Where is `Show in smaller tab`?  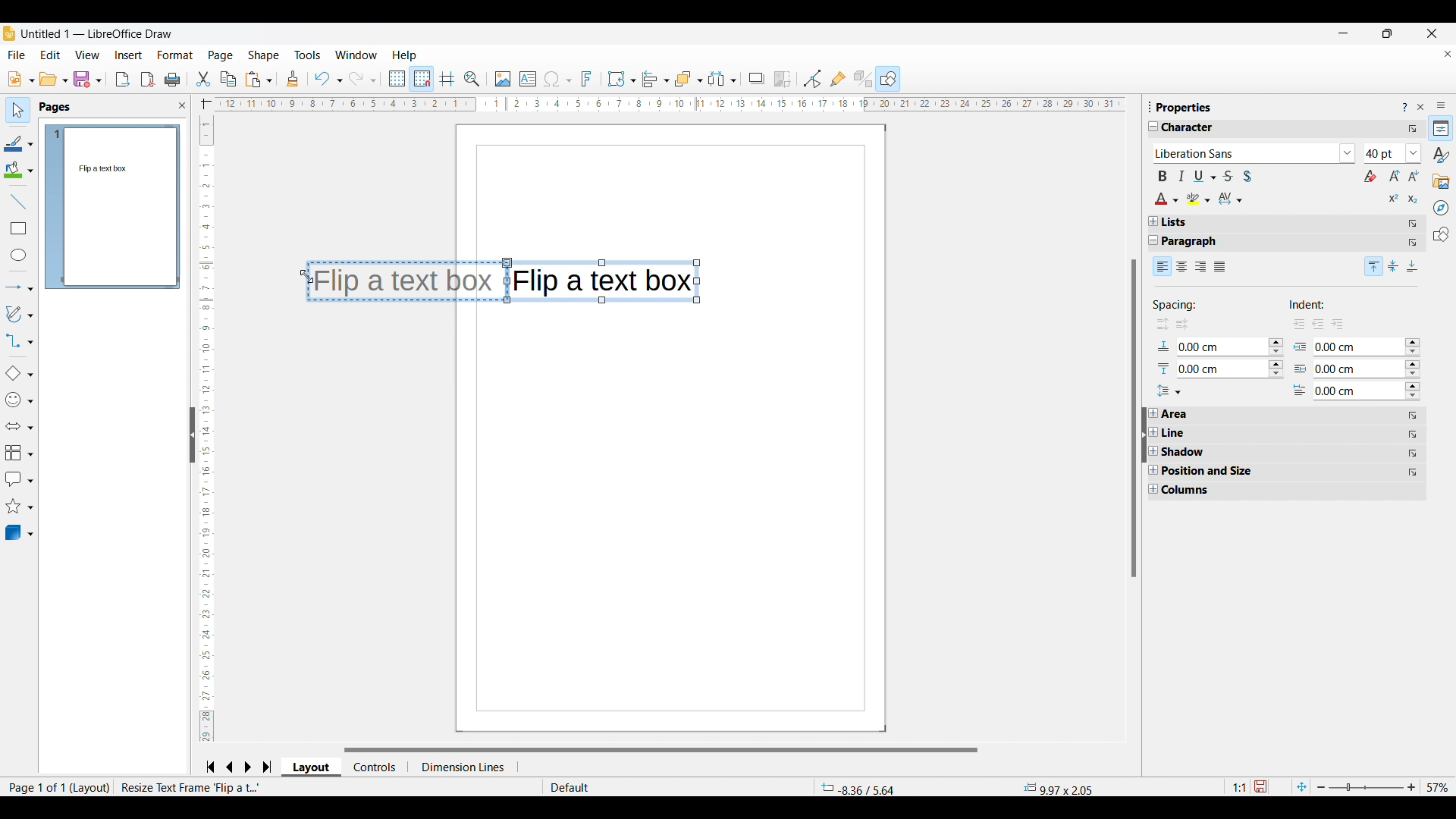 Show in smaller tab is located at coordinates (1388, 33).